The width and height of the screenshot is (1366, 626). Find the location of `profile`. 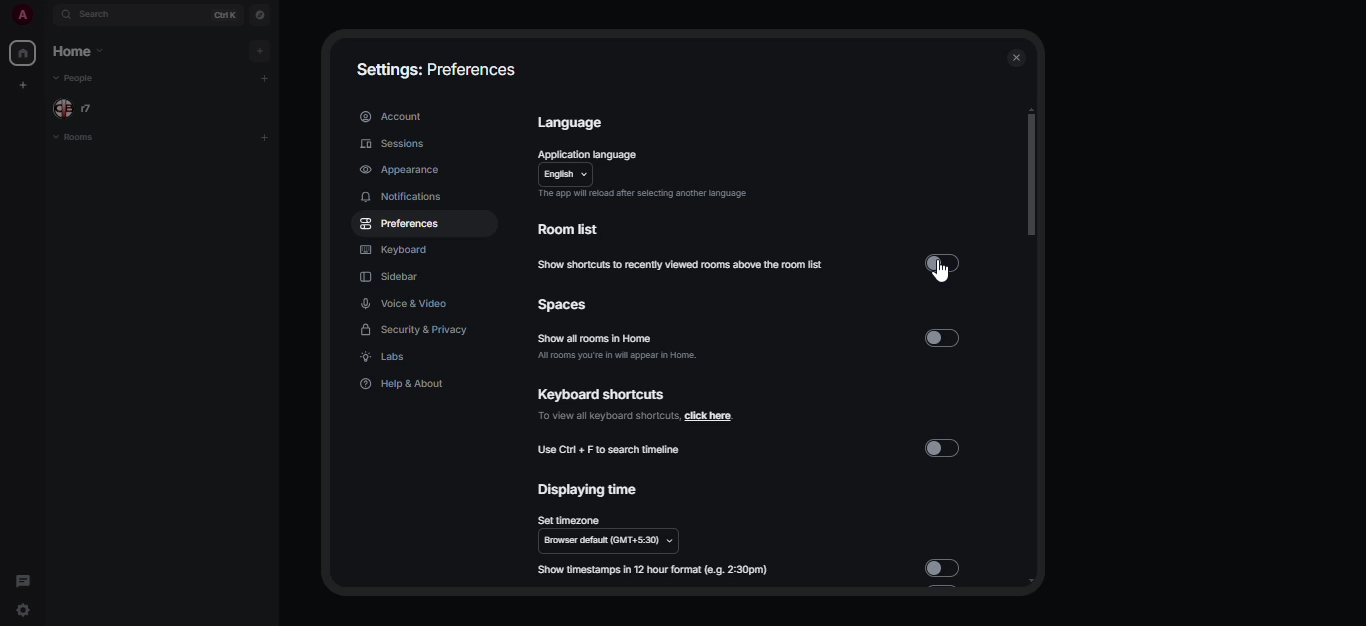

profile is located at coordinates (21, 13).